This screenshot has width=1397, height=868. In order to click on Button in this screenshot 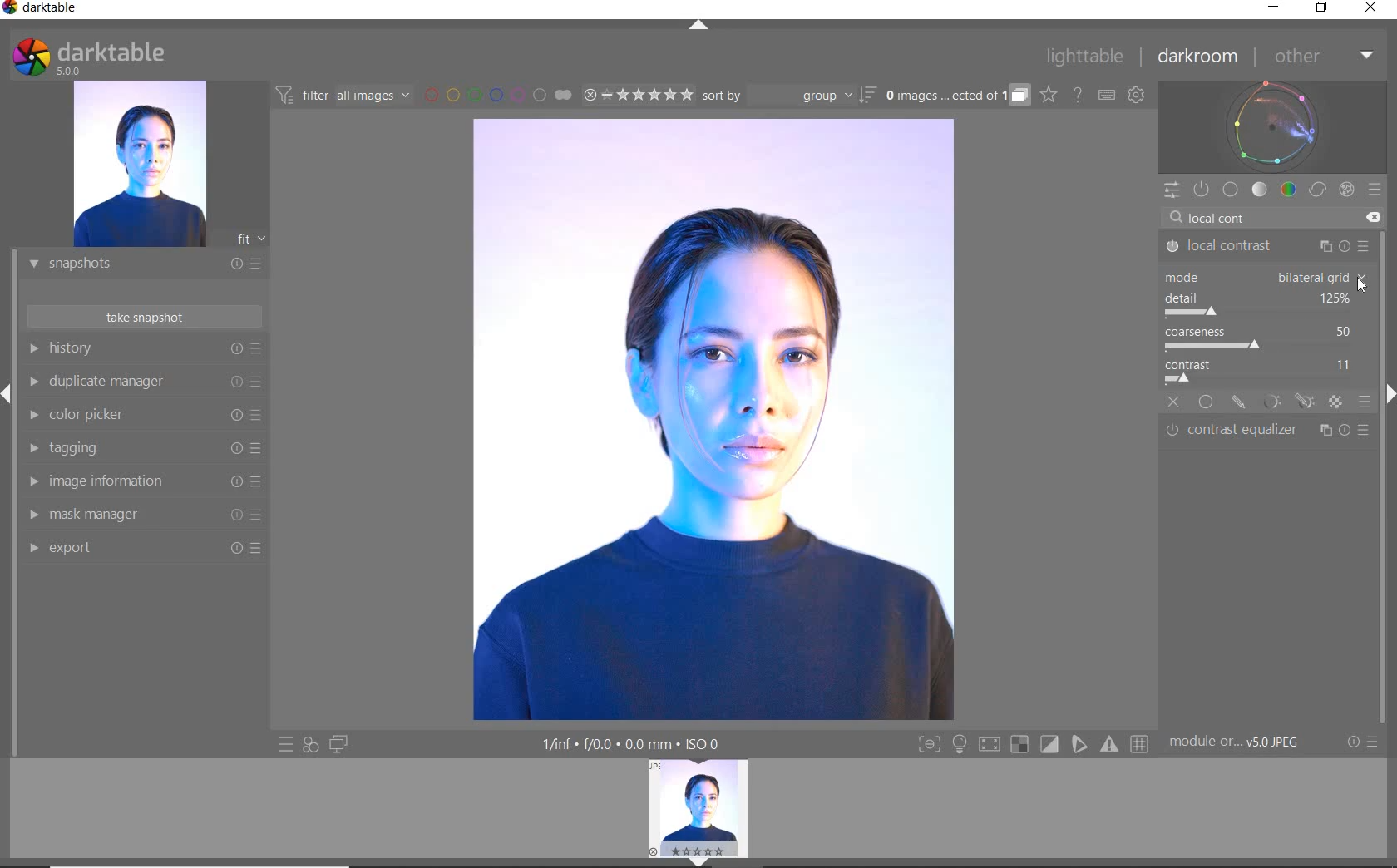, I will do `click(989, 747)`.